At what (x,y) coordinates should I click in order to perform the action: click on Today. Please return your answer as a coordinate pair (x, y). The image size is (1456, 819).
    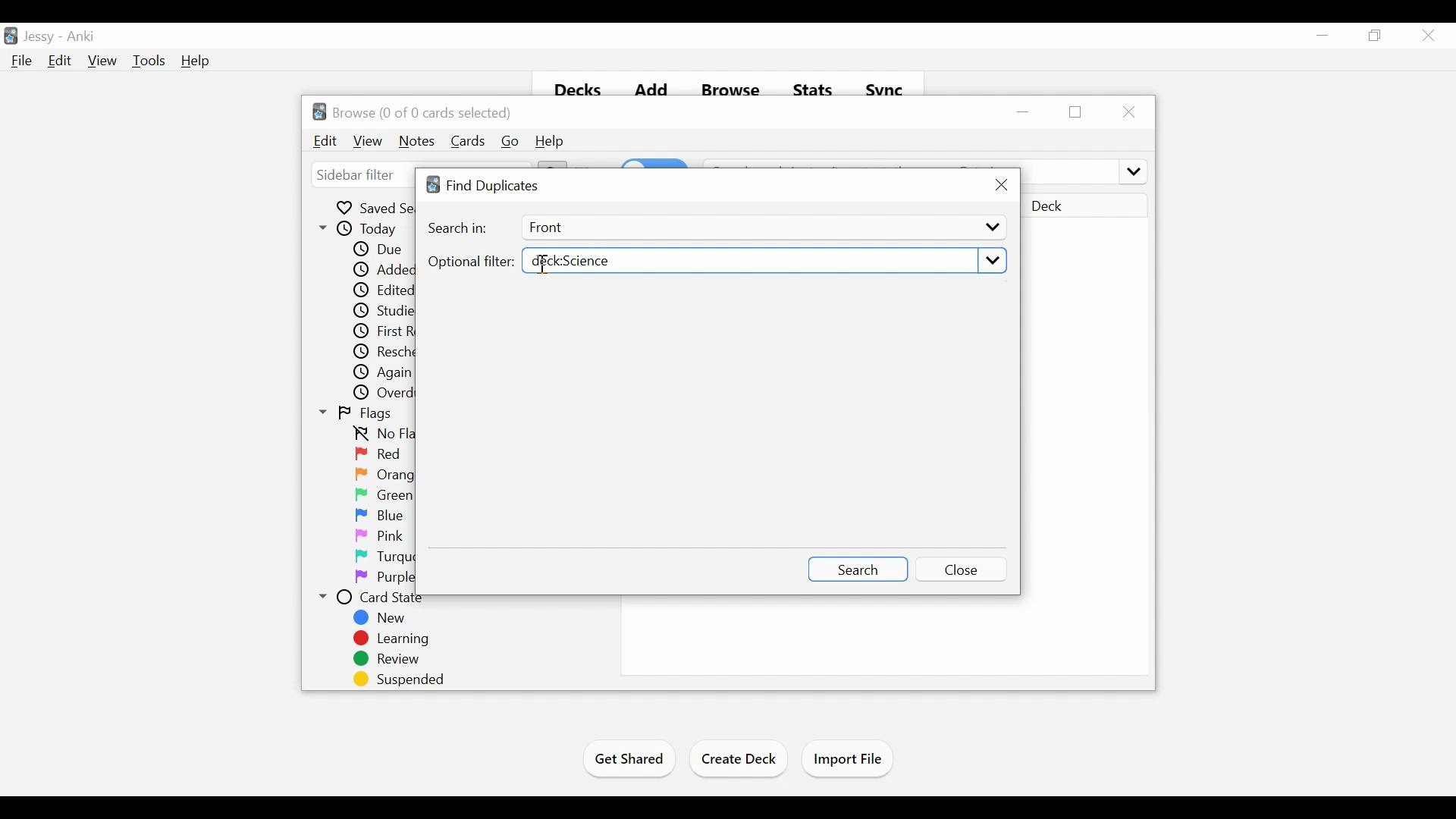
    Looking at the image, I should click on (360, 229).